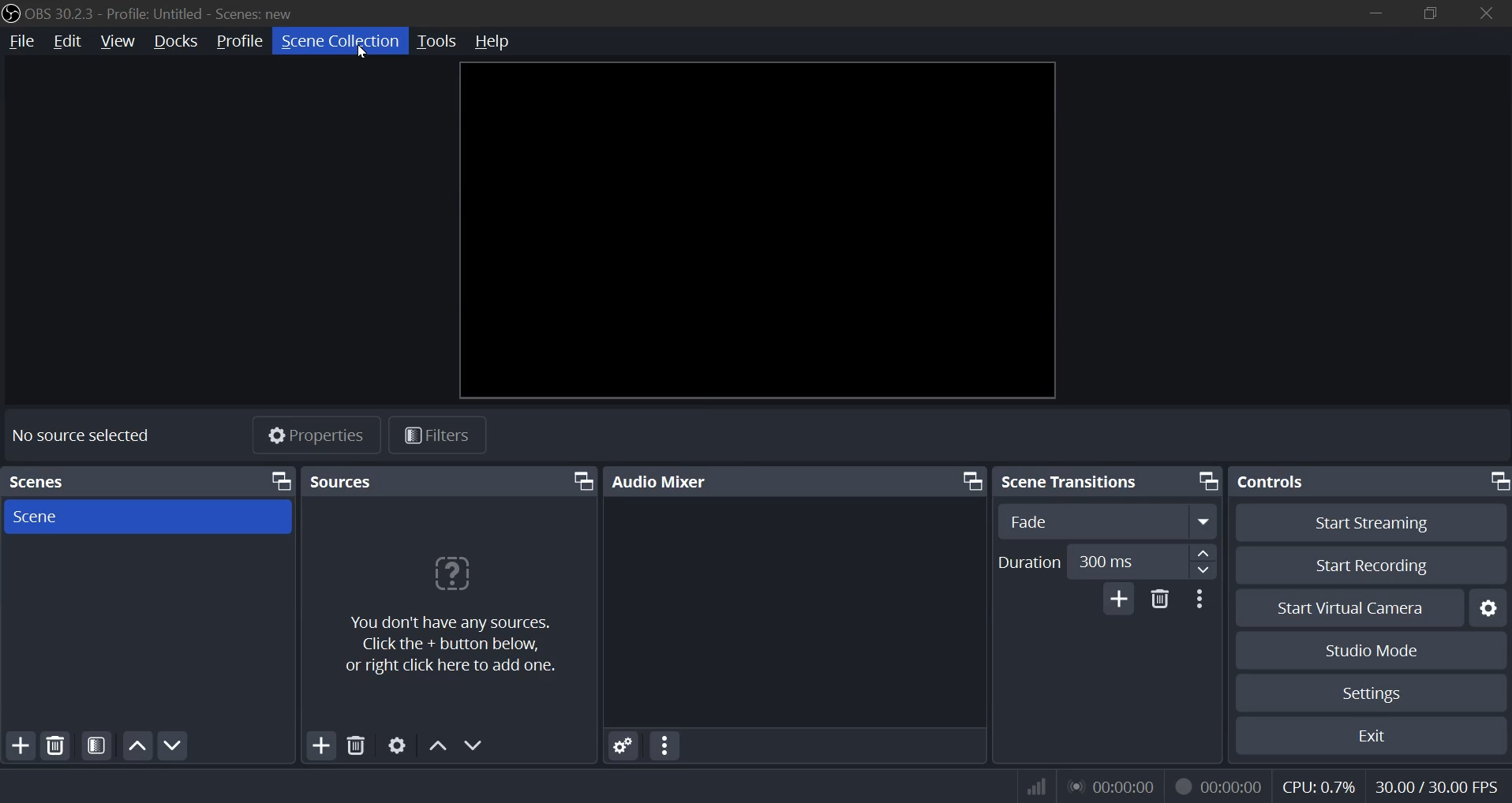 The height and width of the screenshot is (803, 1512). Describe the element at coordinates (1031, 562) in the screenshot. I see `duration` at that location.